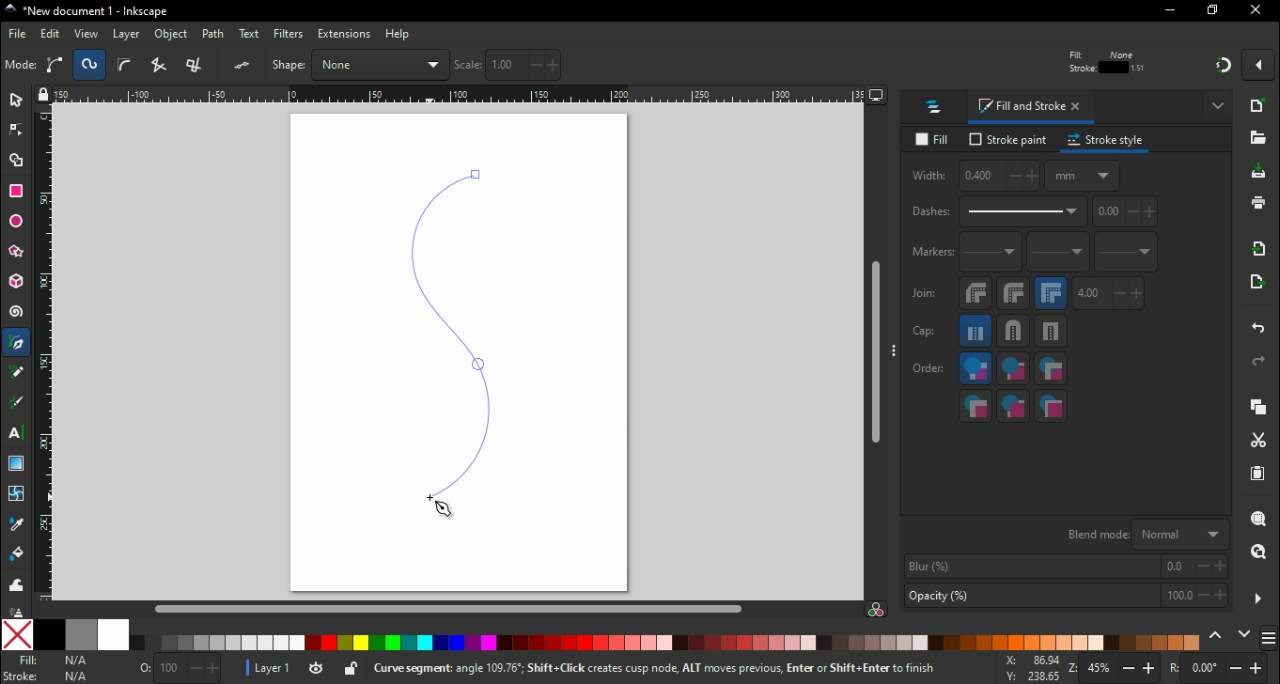 This screenshot has height=684, width=1280. I want to click on fill and stroke, so click(1032, 109).